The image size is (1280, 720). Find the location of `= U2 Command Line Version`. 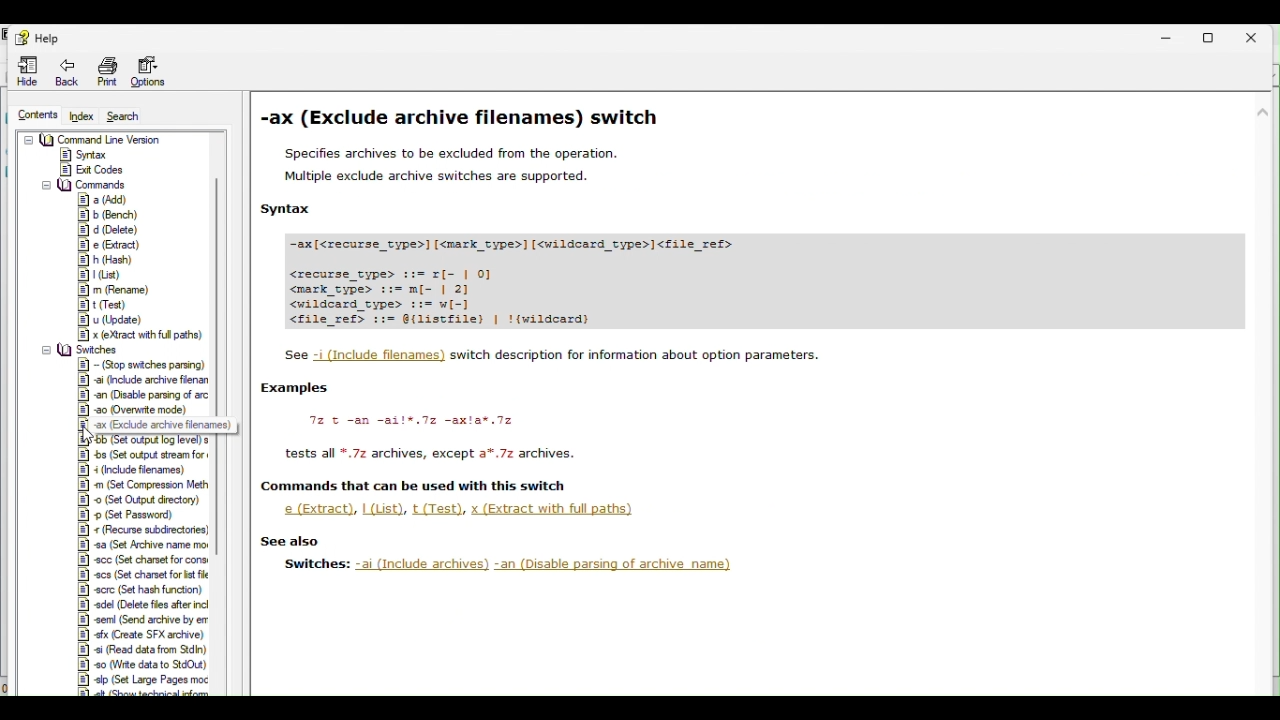

= U2 Command Line Version is located at coordinates (99, 138).